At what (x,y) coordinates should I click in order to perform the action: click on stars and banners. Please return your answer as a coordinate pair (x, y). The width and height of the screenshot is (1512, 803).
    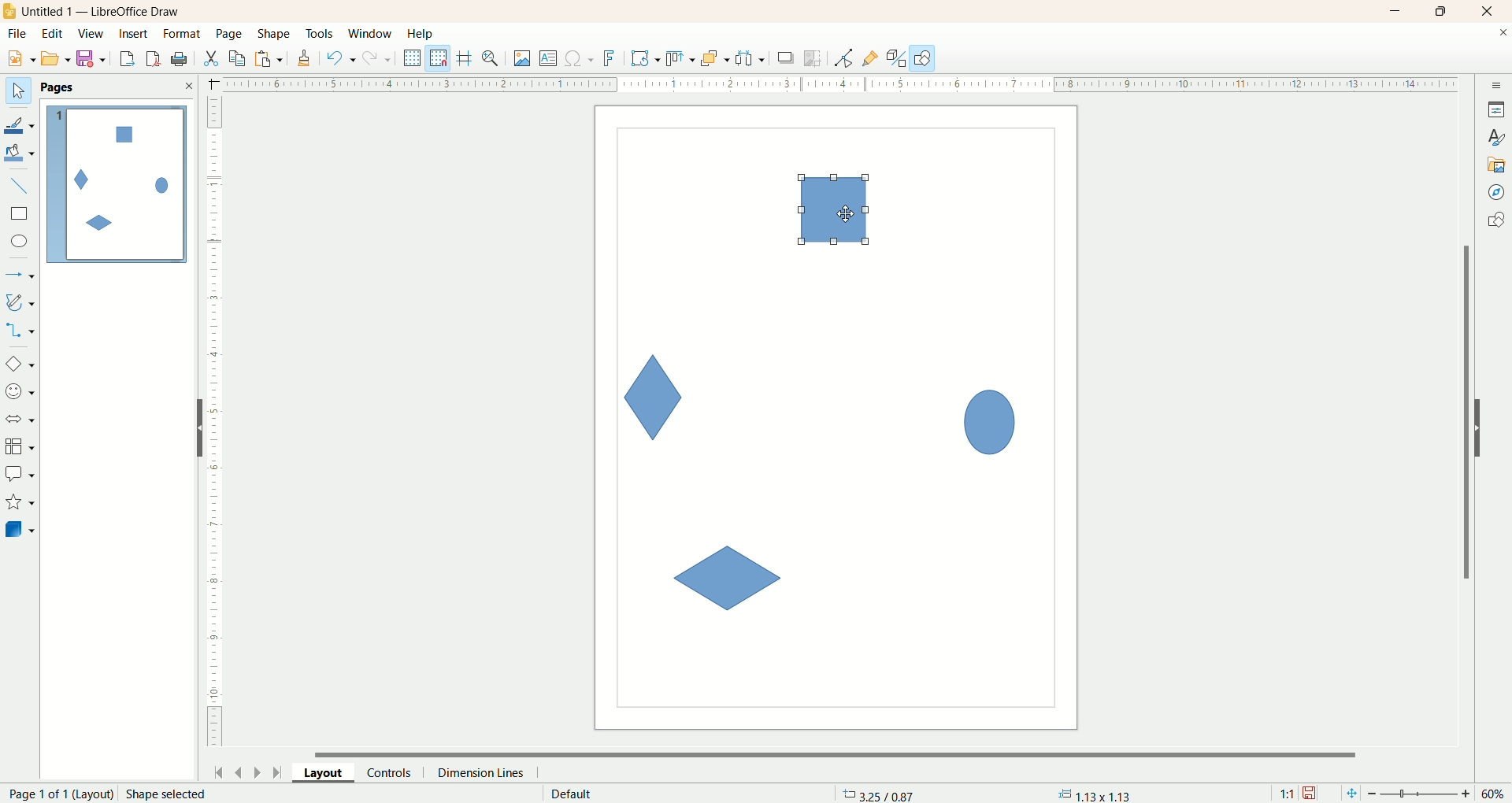
    Looking at the image, I should click on (19, 501).